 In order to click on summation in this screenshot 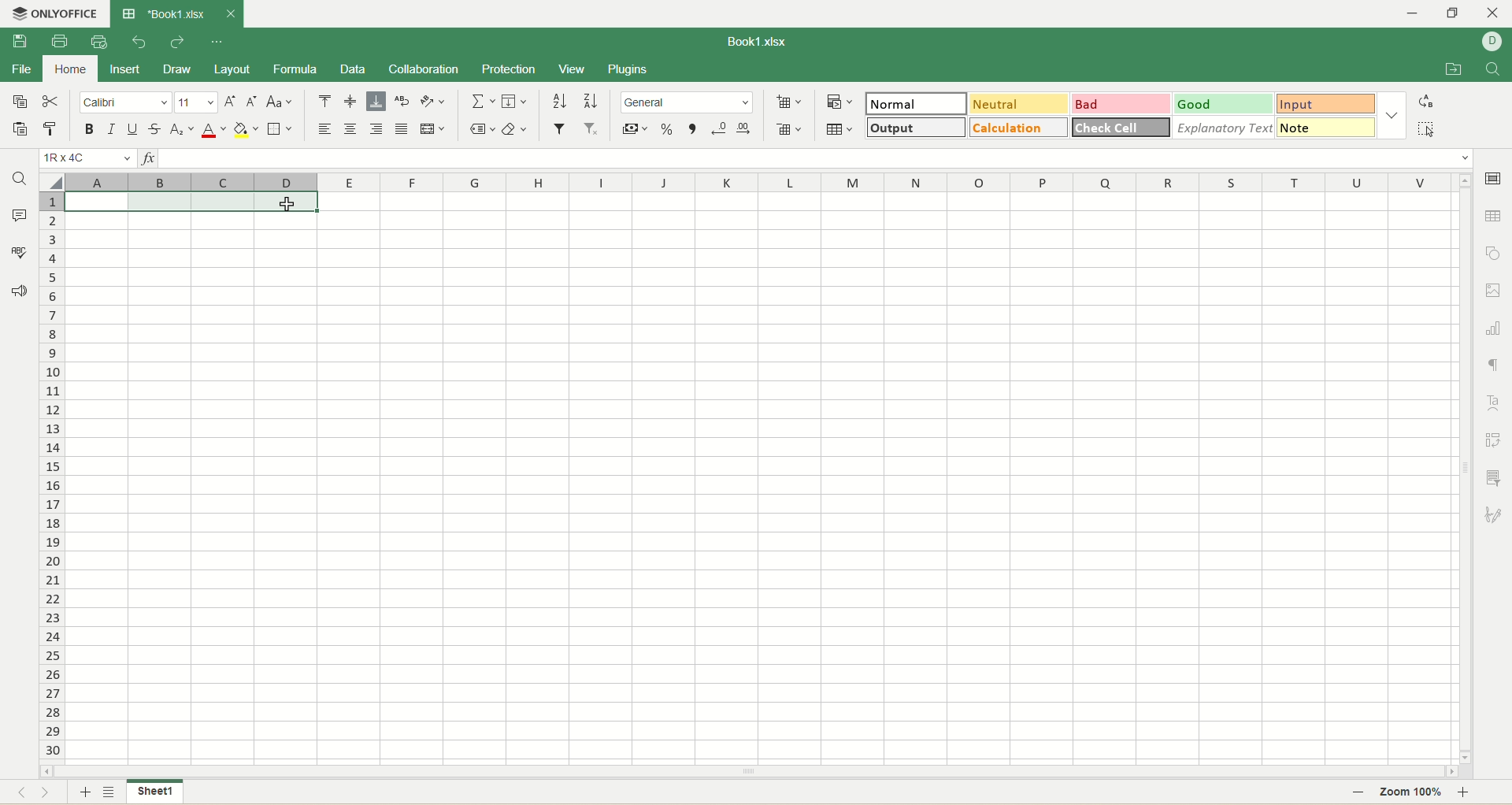, I will do `click(484, 100)`.